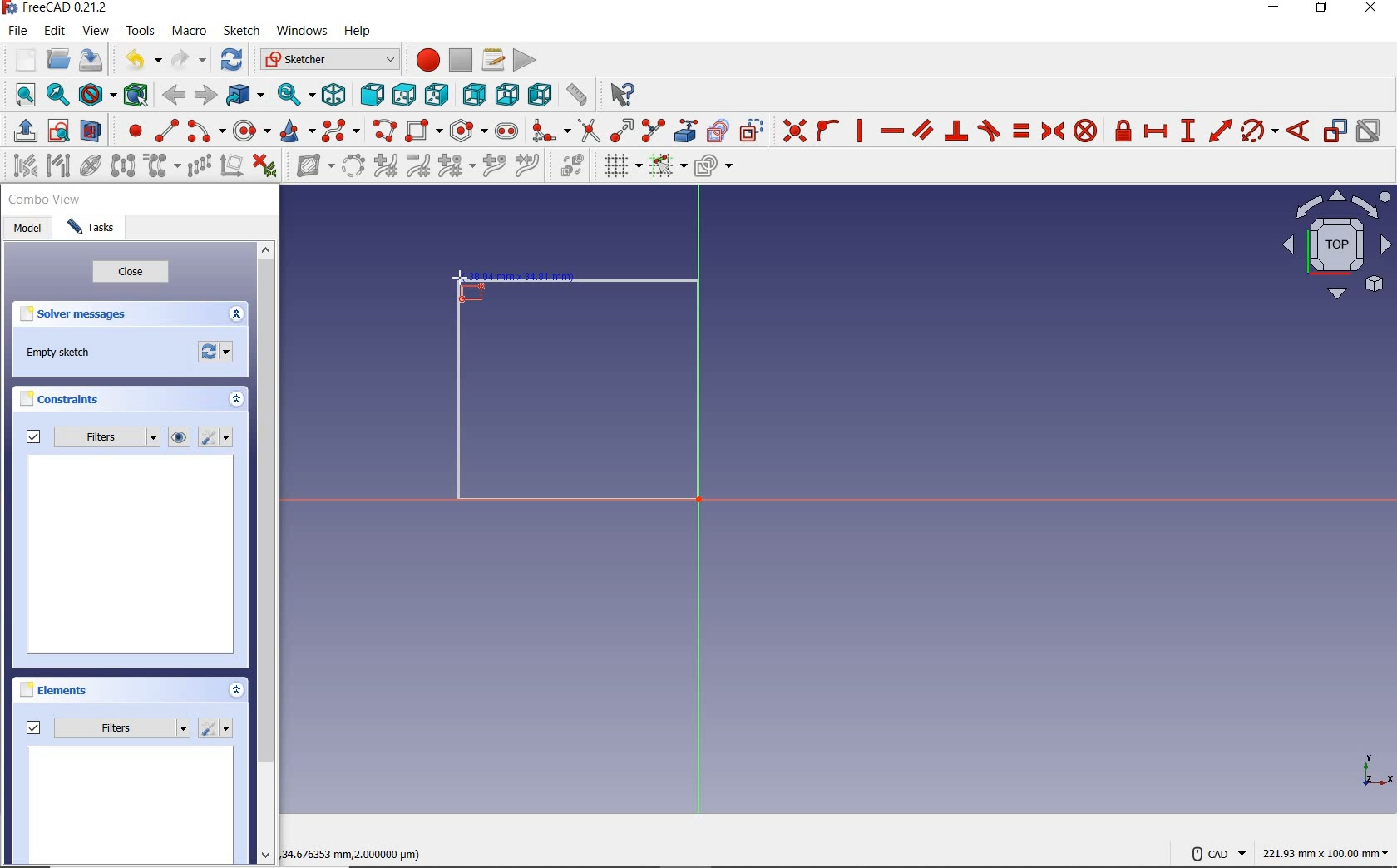  What do you see at coordinates (622, 131) in the screenshot?
I see `extend edge` at bounding box center [622, 131].